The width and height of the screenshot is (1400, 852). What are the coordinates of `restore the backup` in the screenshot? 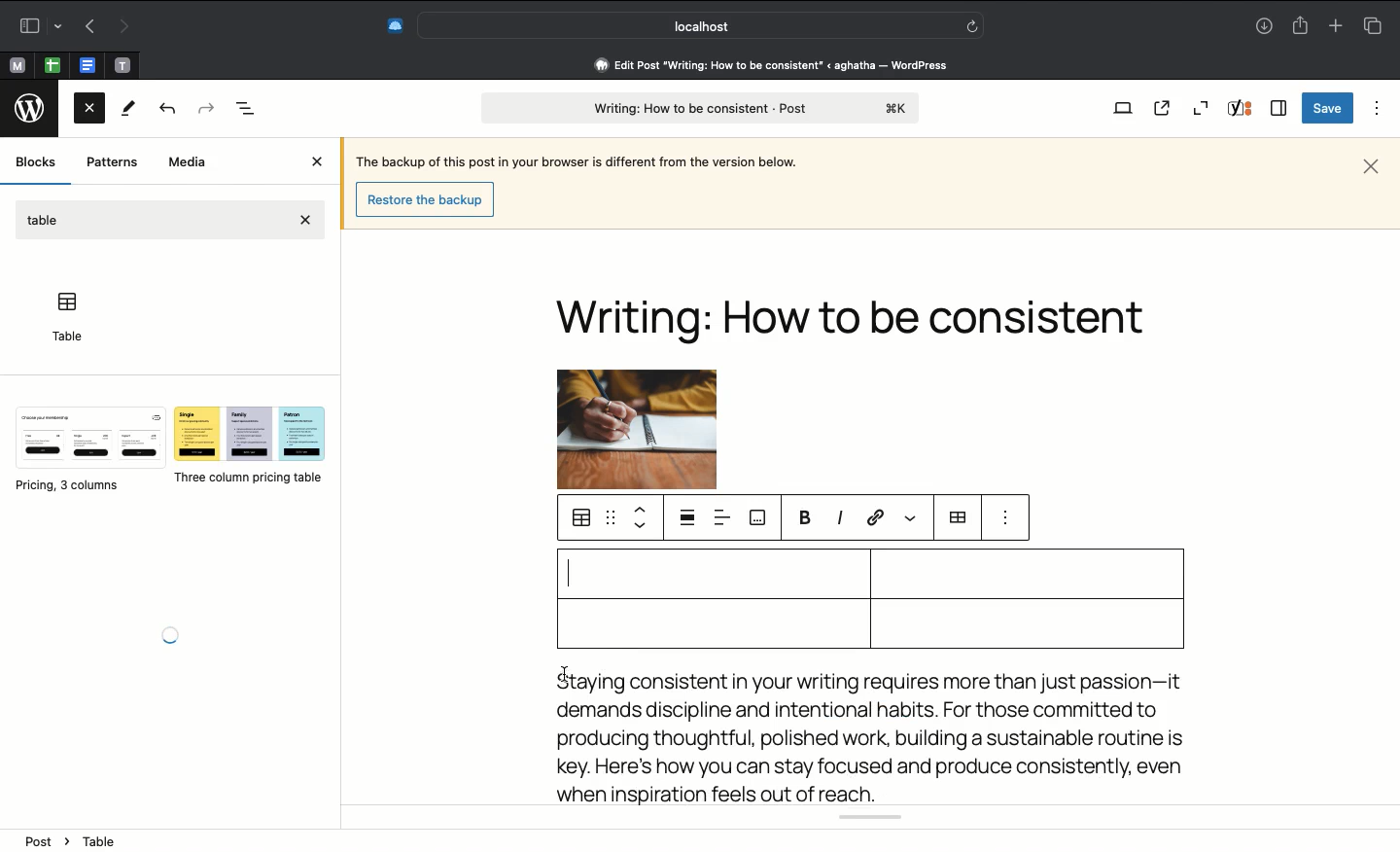 It's located at (428, 199).